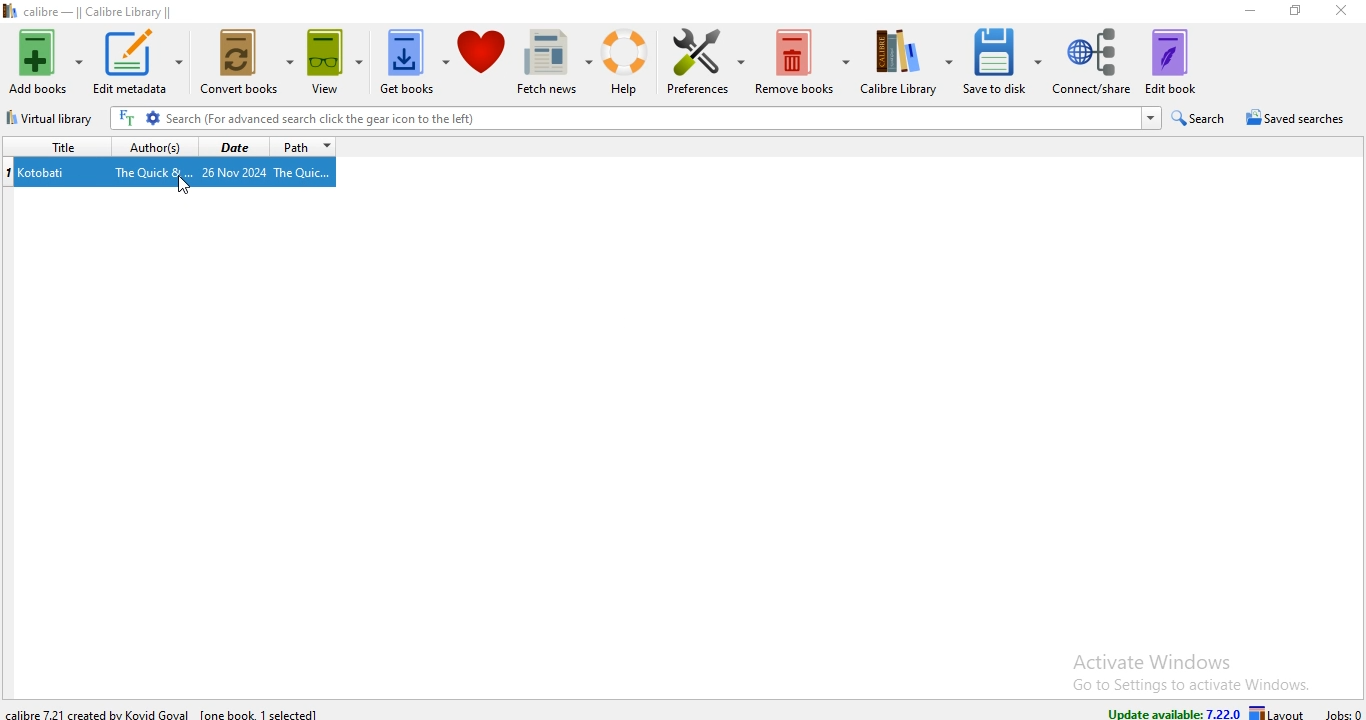  I want to click on calibre - || Calibre Library ||, so click(97, 10).